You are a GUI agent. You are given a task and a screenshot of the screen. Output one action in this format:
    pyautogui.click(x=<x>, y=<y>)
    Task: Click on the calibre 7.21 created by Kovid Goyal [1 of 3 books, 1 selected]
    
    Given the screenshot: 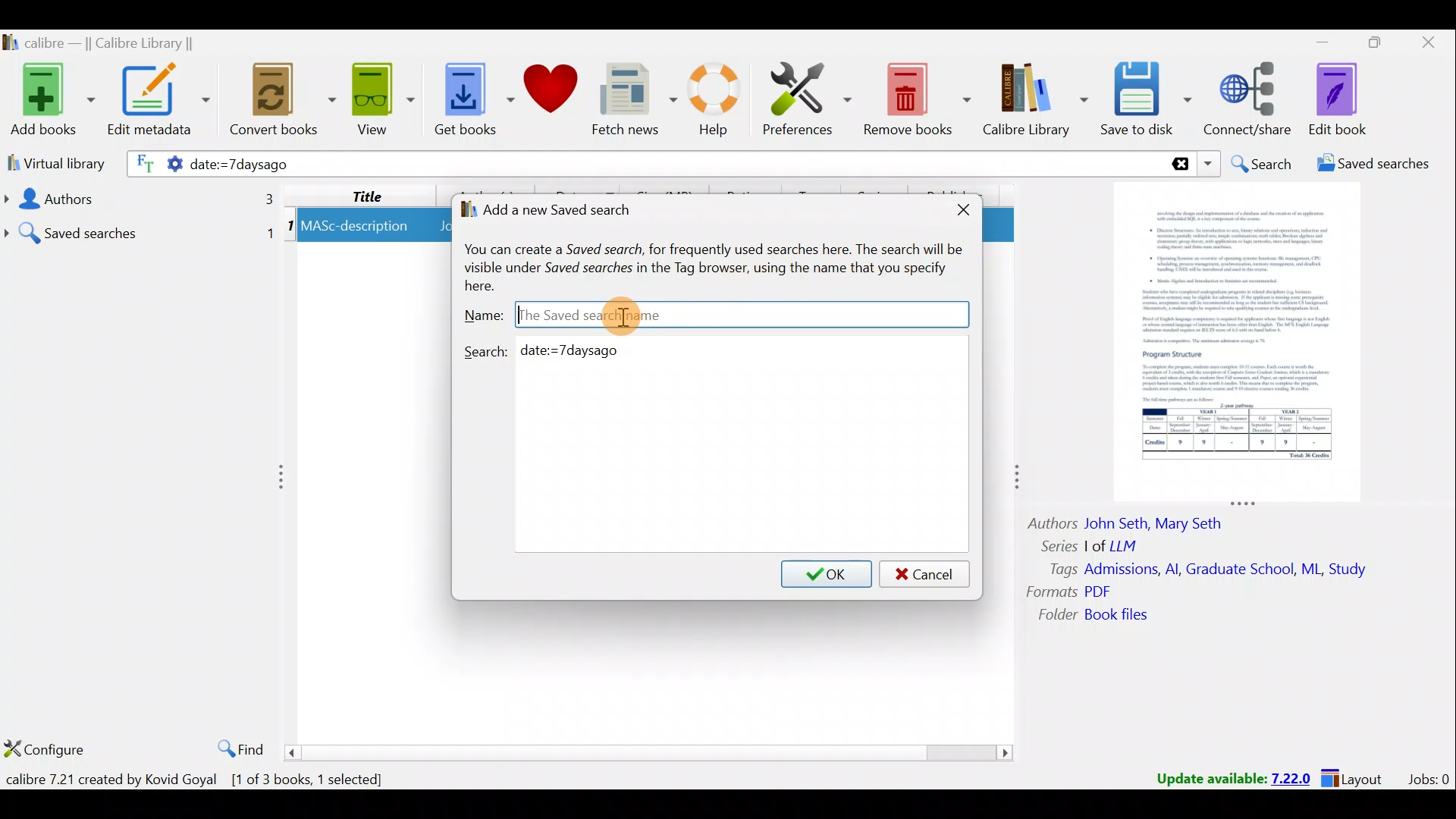 What is the action you would take?
    pyautogui.click(x=203, y=780)
    